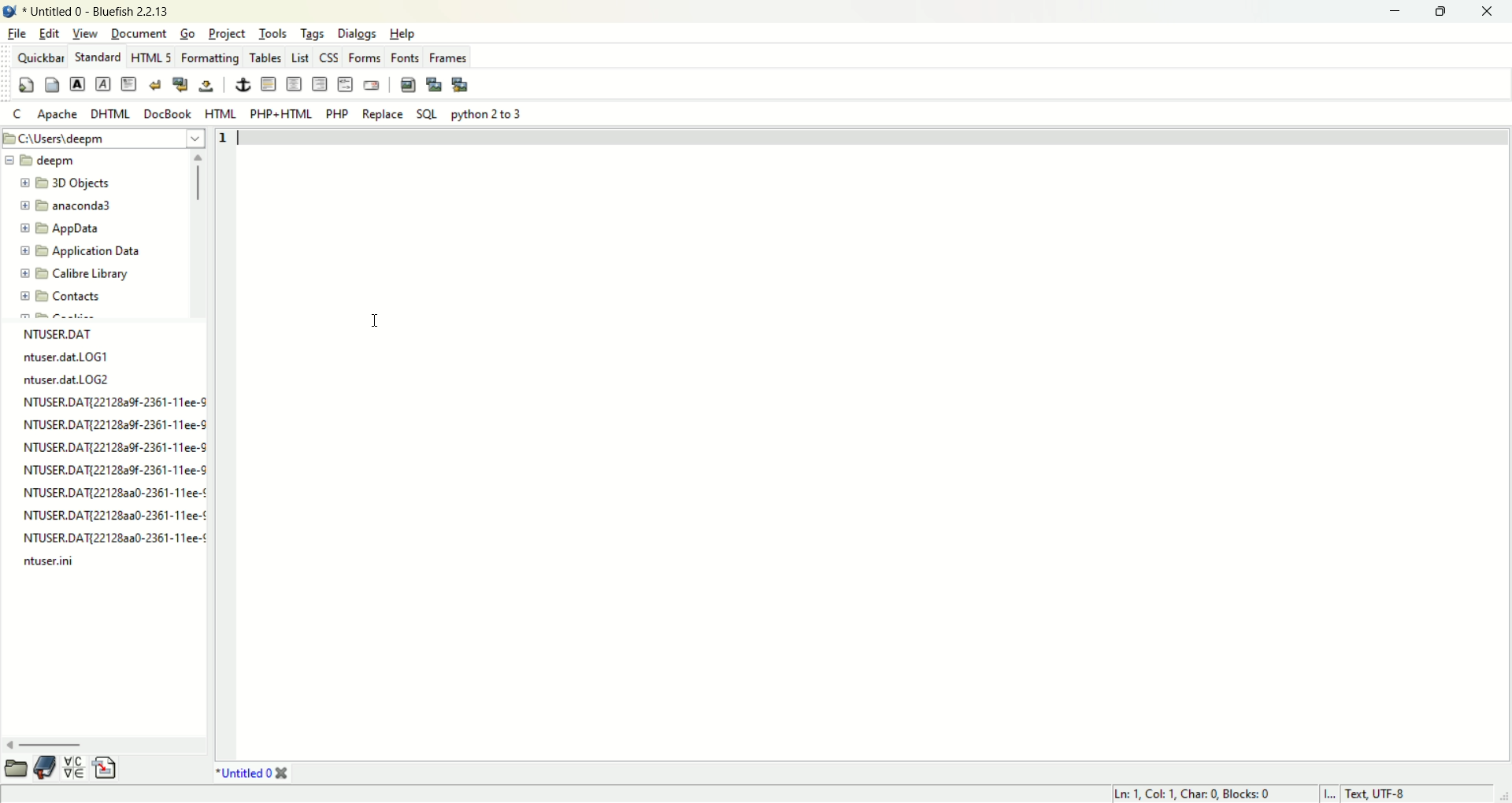  What do you see at coordinates (253, 774) in the screenshot?
I see `title` at bounding box center [253, 774].